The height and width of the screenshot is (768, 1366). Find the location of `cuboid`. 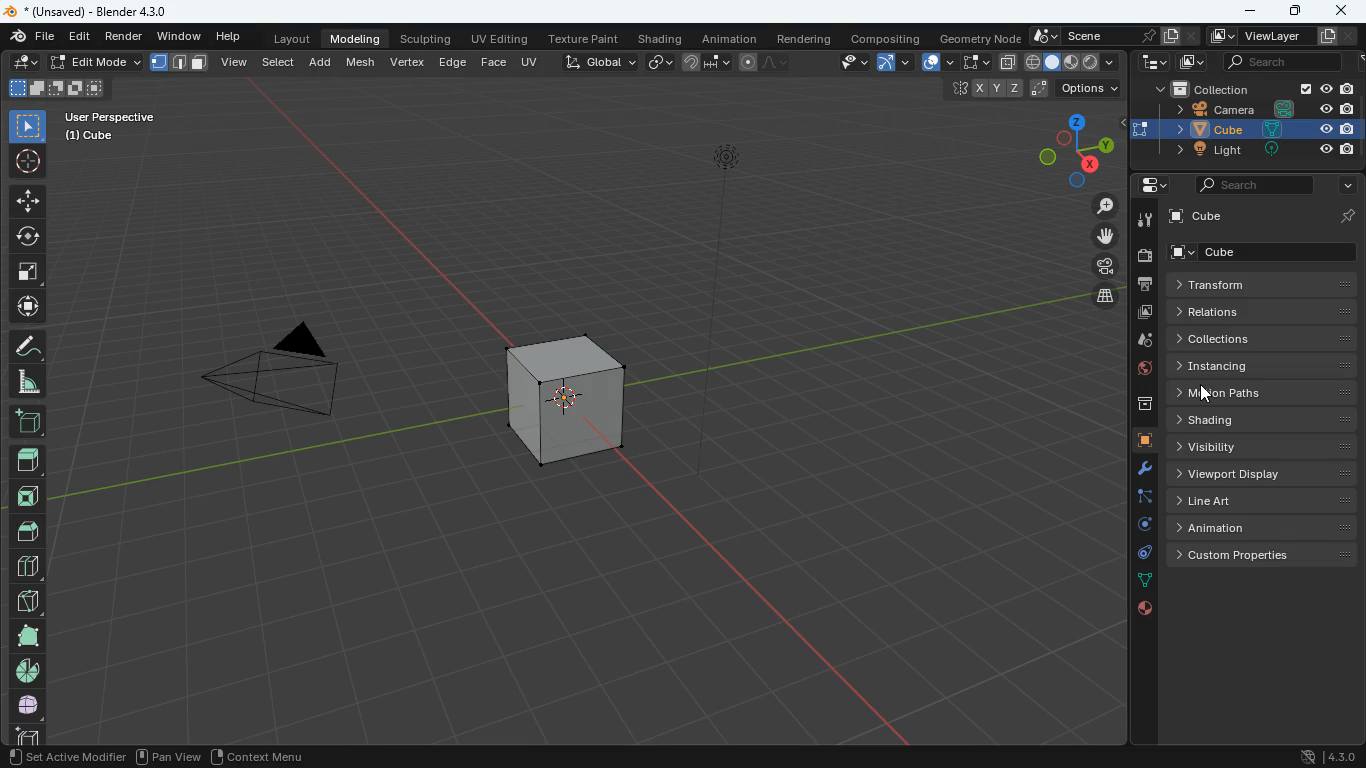

cuboid is located at coordinates (24, 734).